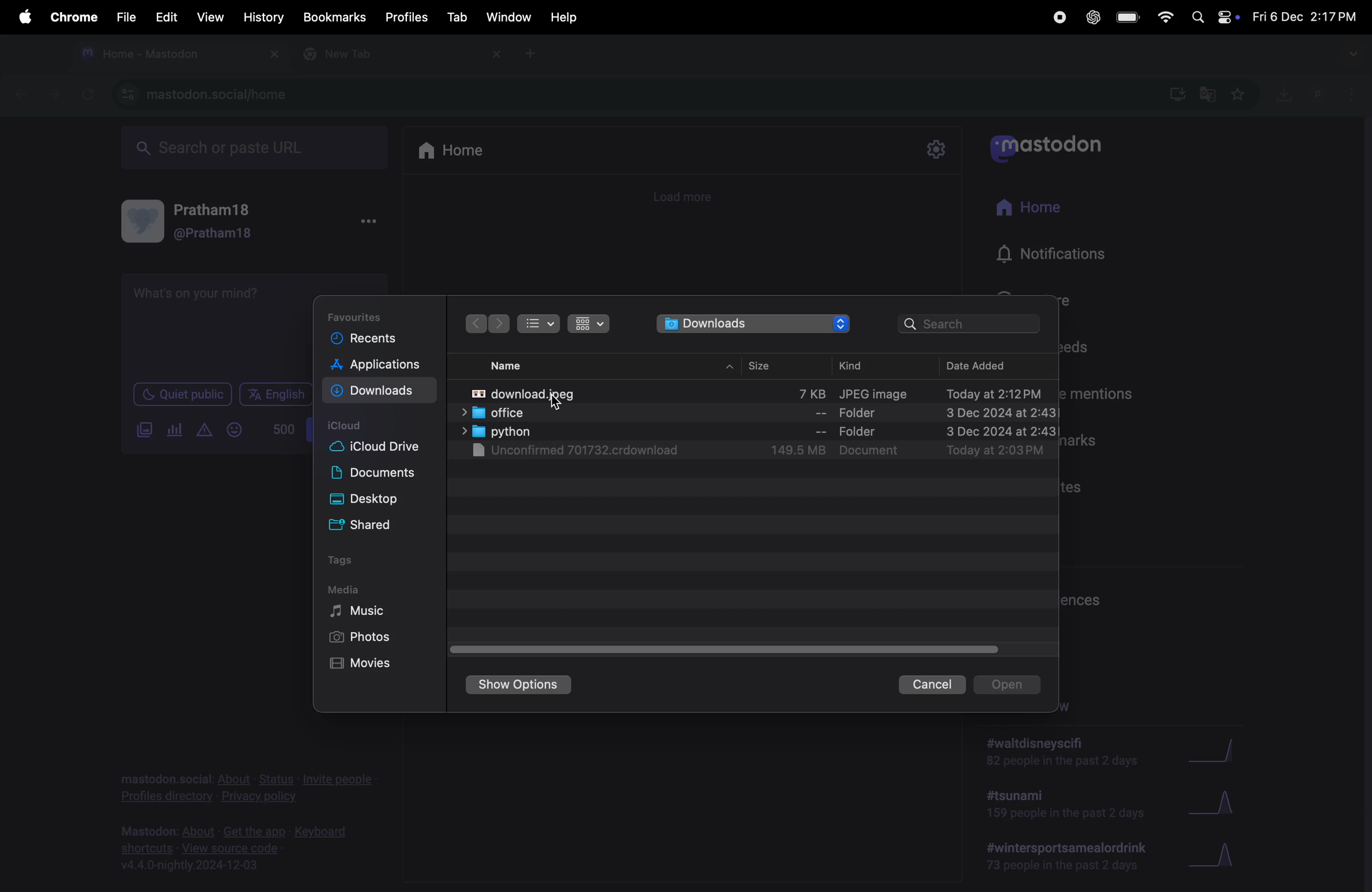  I want to click on home, so click(455, 151).